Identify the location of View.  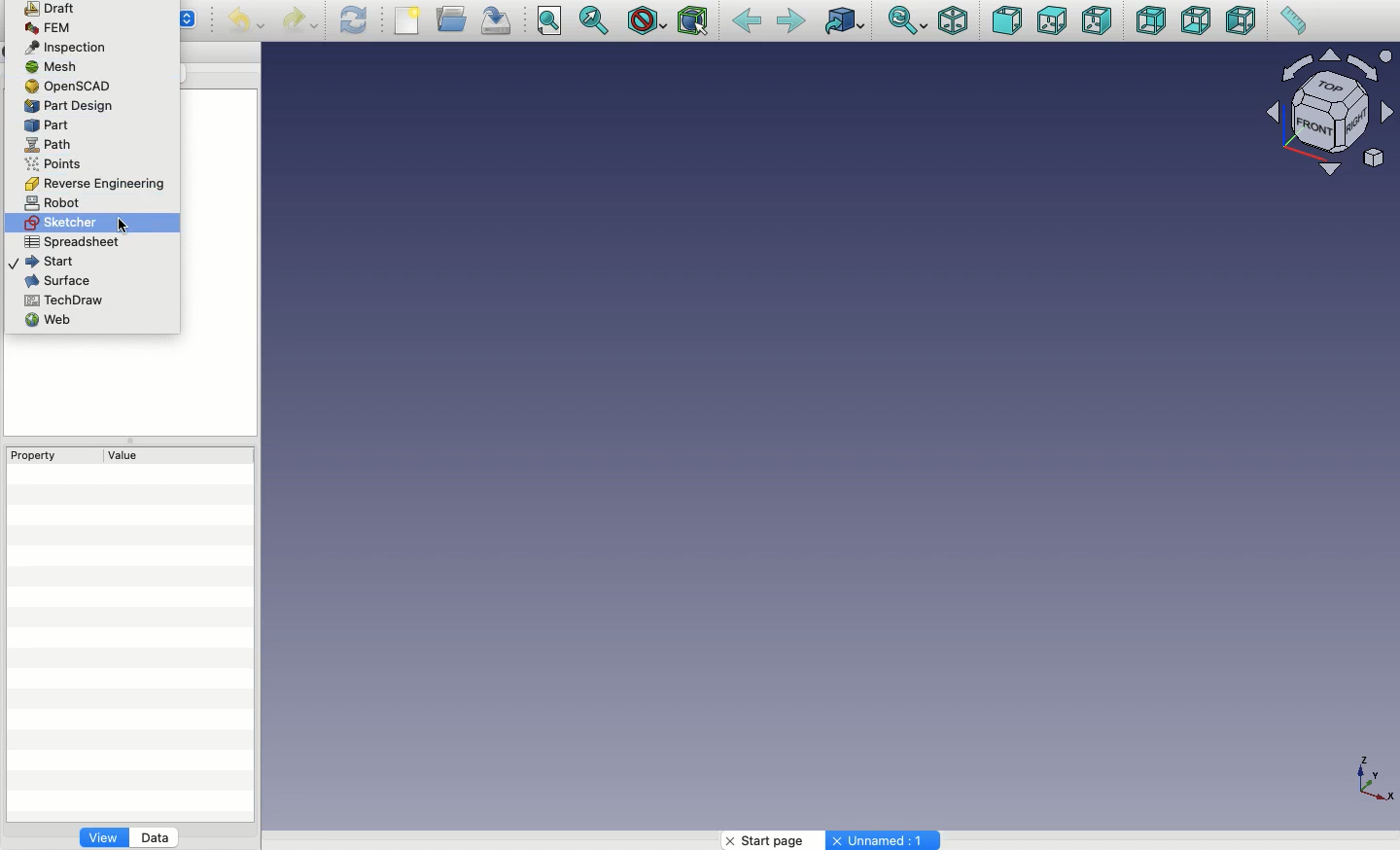
(103, 840).